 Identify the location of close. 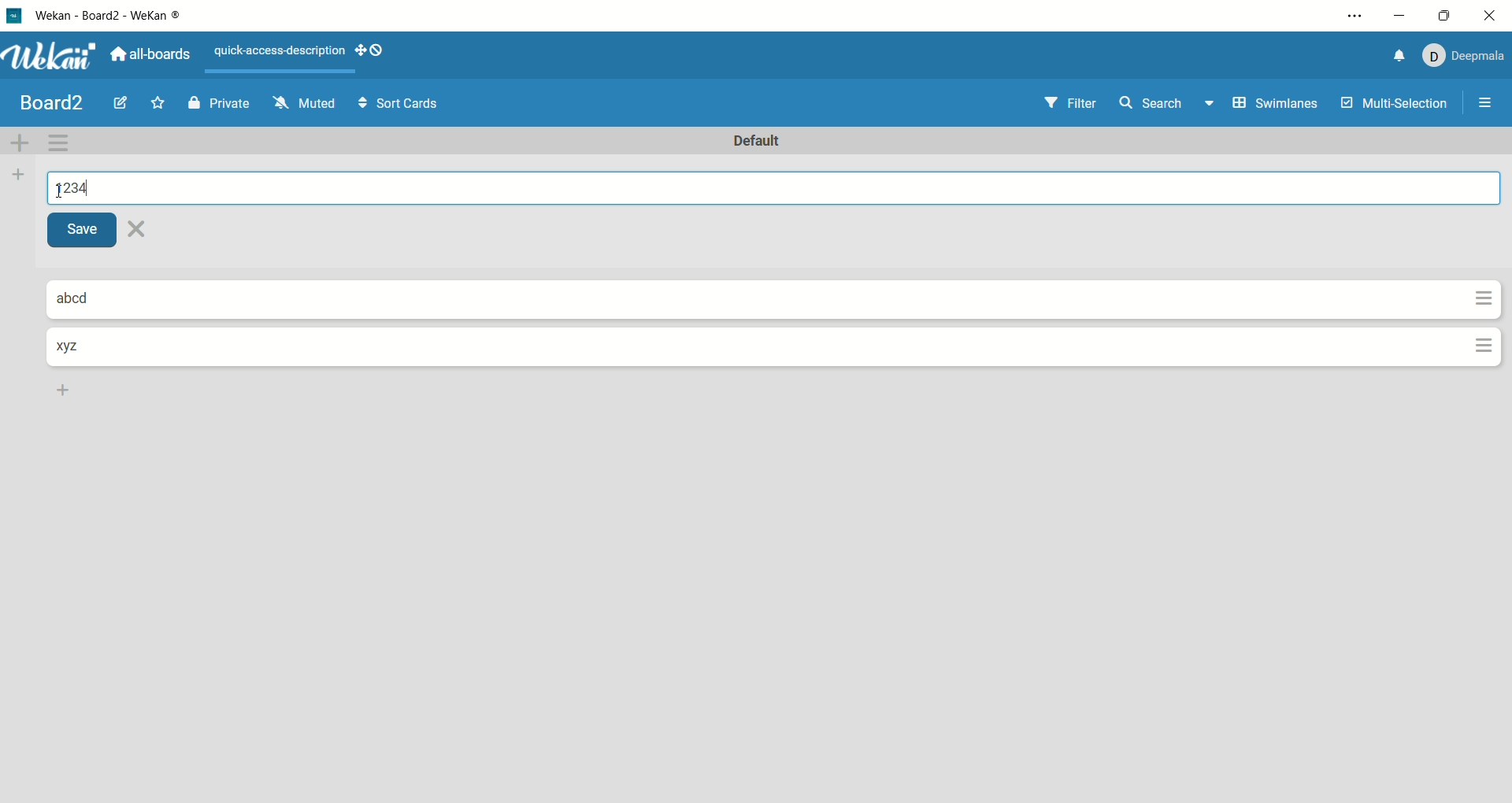
(1492, 16).